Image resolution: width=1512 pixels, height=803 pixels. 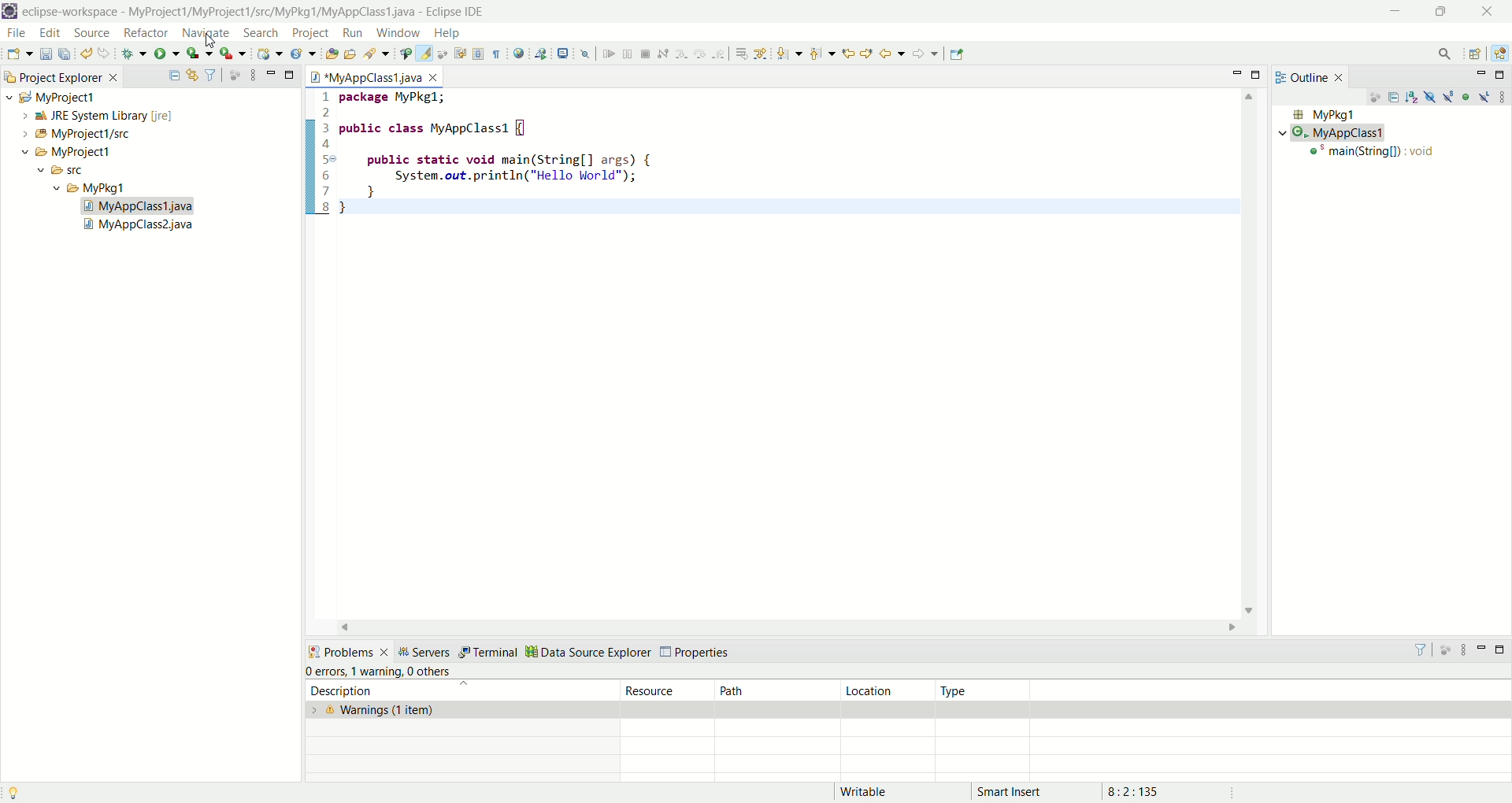 I want to click on forward, so click(x=925, y=54).